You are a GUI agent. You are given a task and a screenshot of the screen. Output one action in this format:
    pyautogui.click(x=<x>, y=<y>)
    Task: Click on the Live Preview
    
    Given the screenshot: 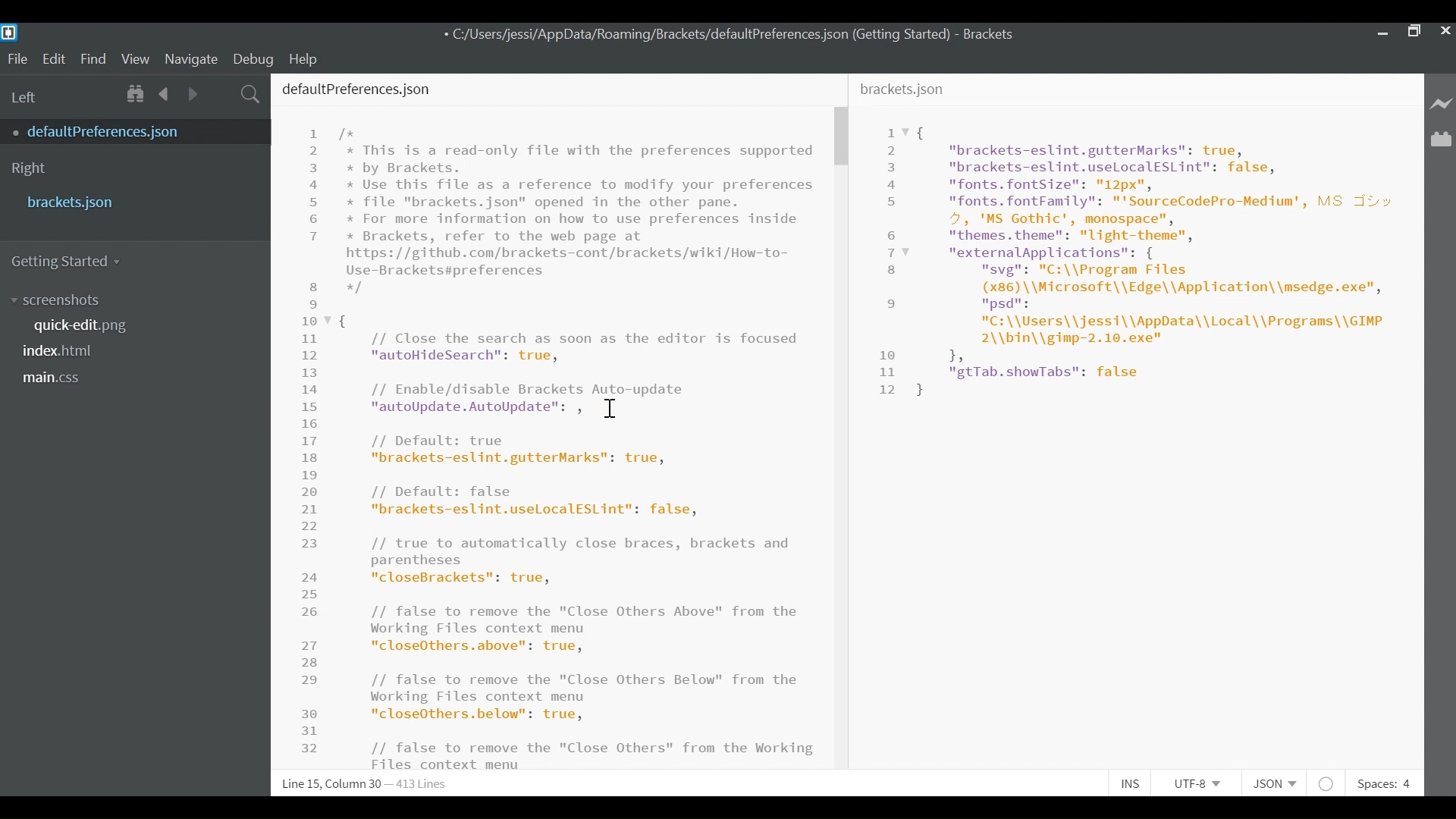 What is the action you would take?
    pyautogui.click(x=1439, y=102)
    